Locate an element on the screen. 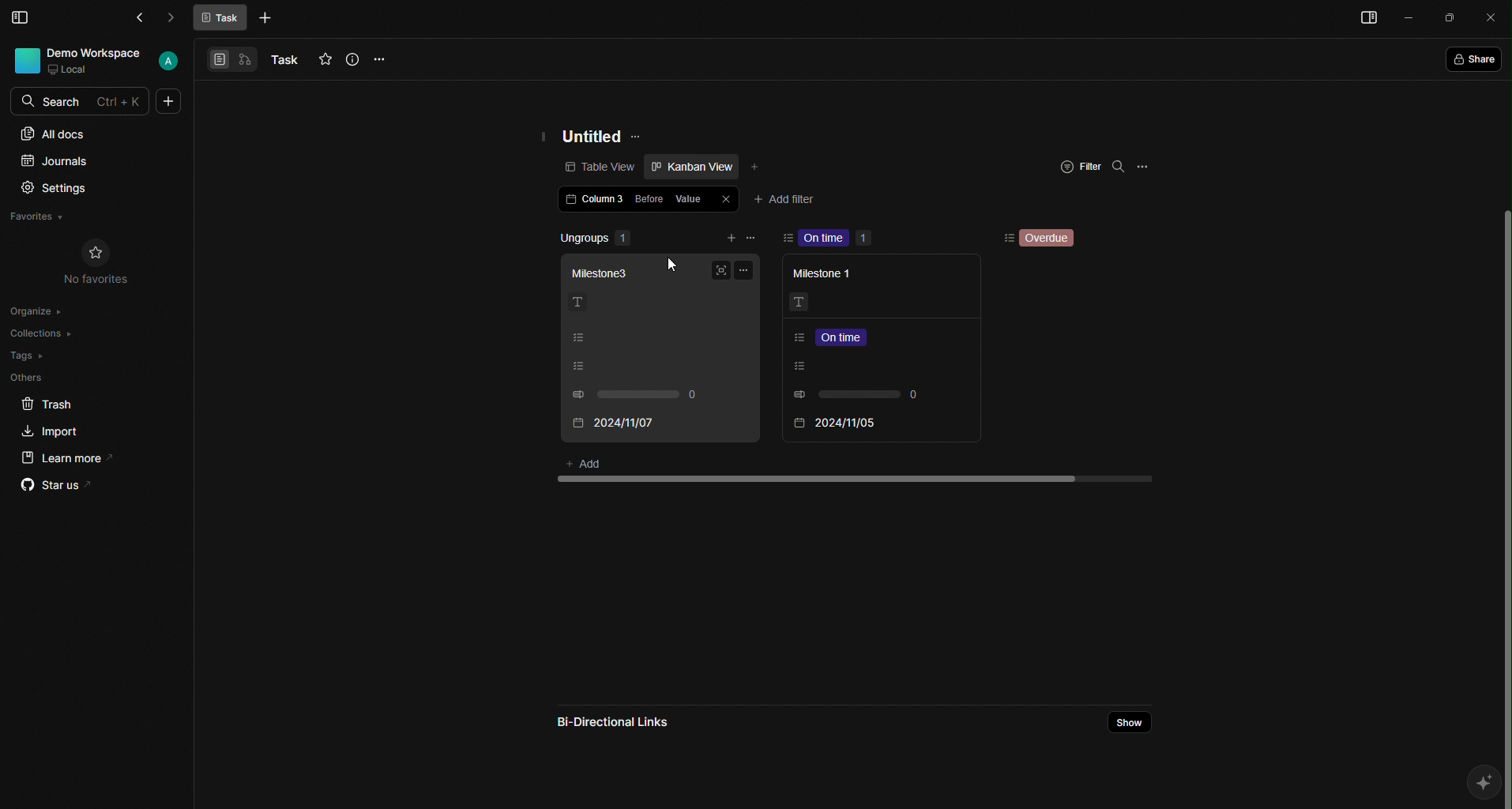 The width and height of the screenshot is (1512, 809). More is located at coordinates (265, 20).